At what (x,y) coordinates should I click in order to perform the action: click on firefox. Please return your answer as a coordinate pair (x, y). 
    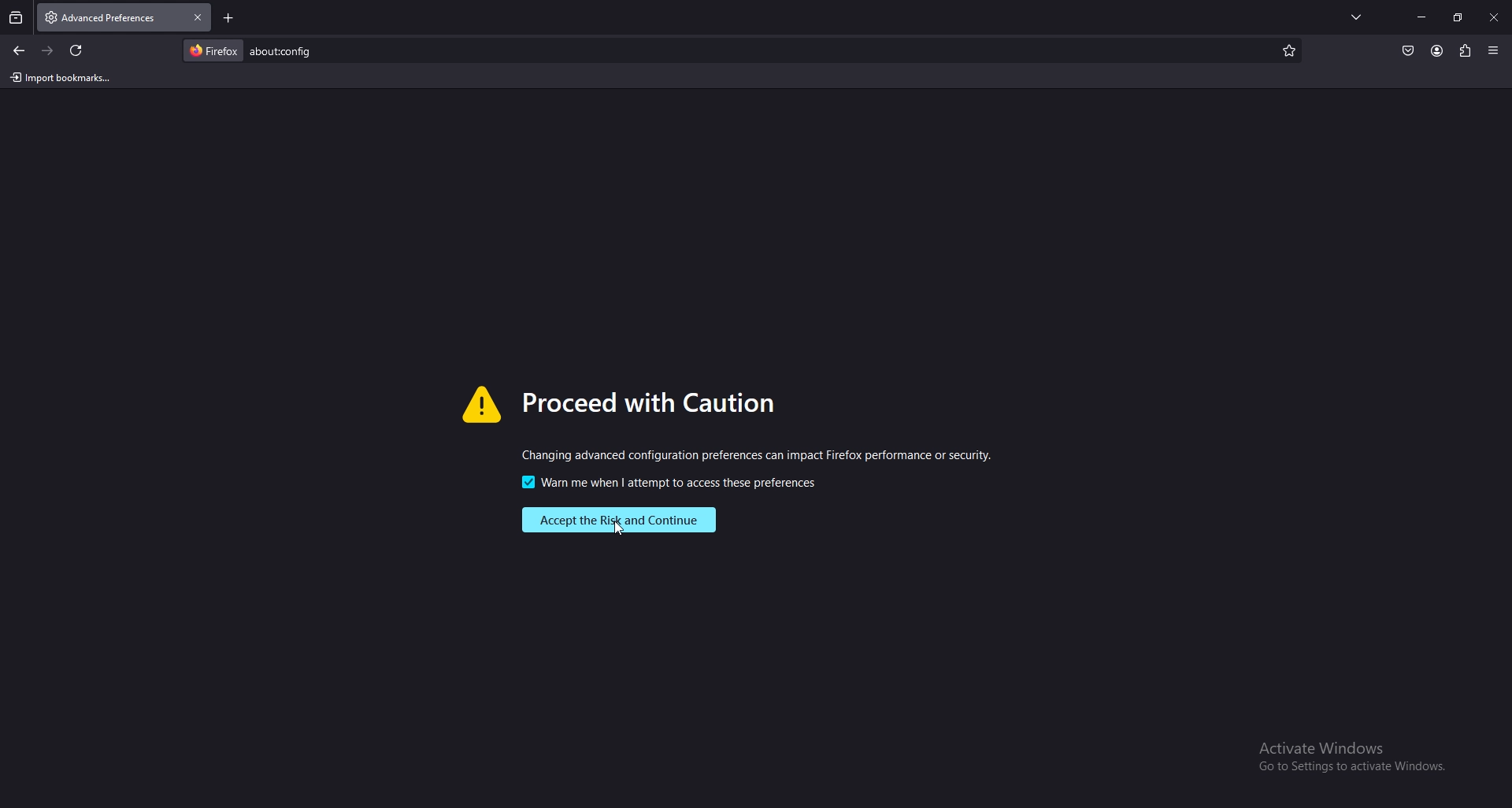
    Looking at the image, I should click on (213, 50).